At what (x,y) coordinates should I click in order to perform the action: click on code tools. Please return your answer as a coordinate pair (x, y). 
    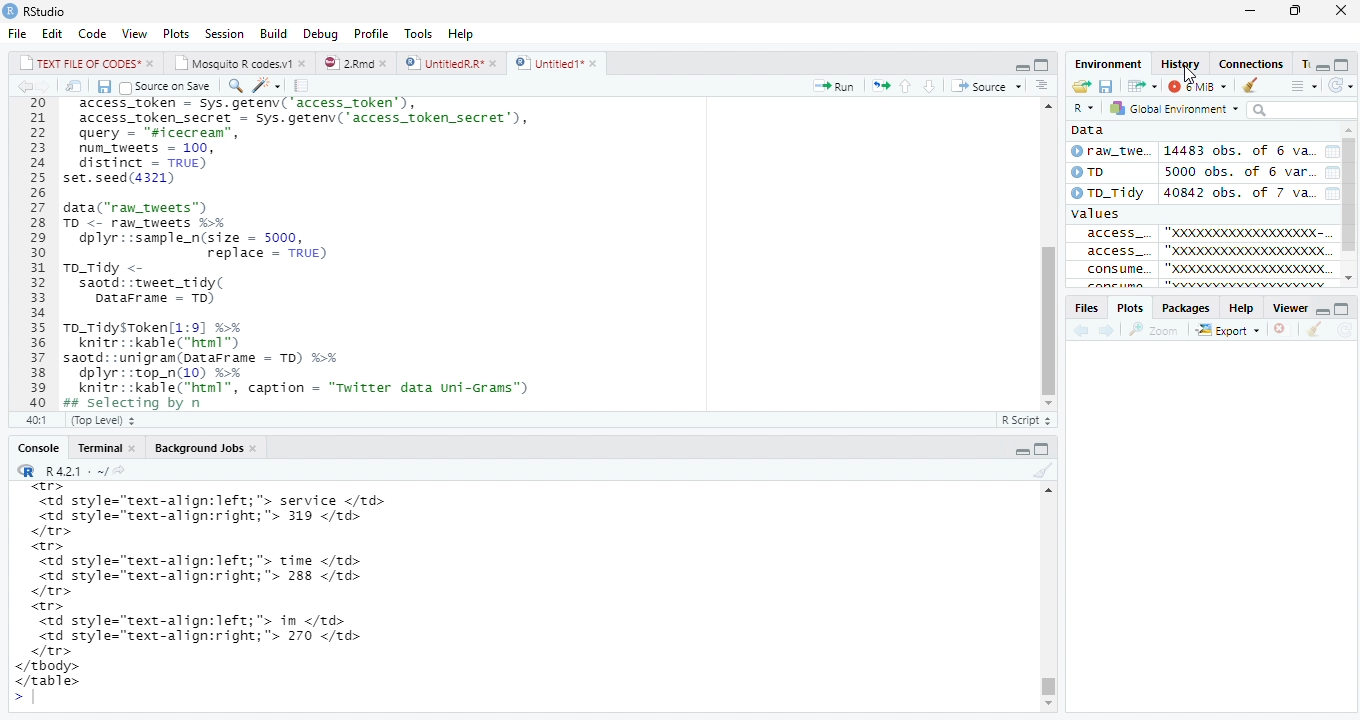
    Looking at the image, I should click on (271, 85).